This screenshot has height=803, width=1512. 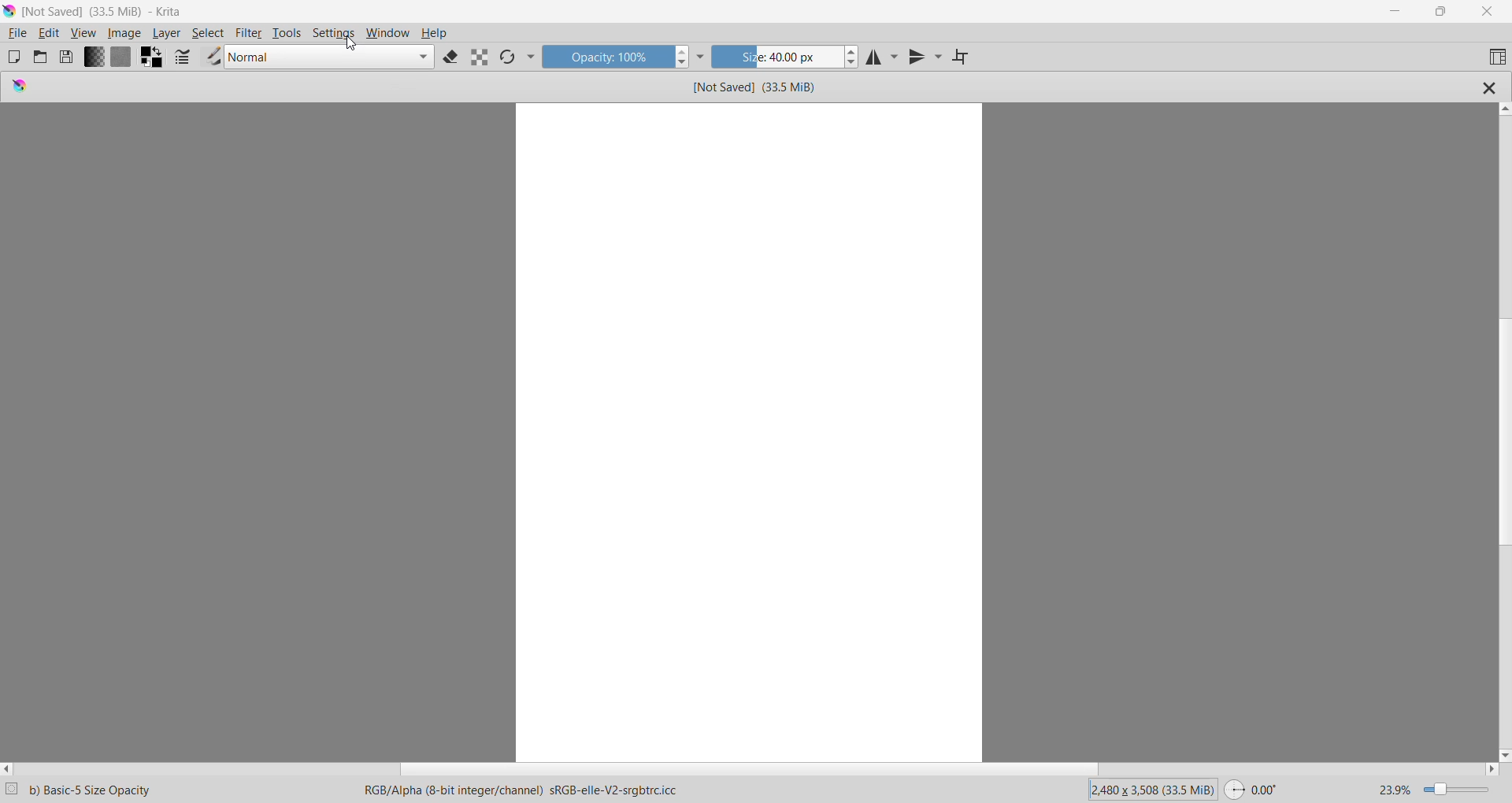 I want to click on cursor, so click(x=353, y=47).